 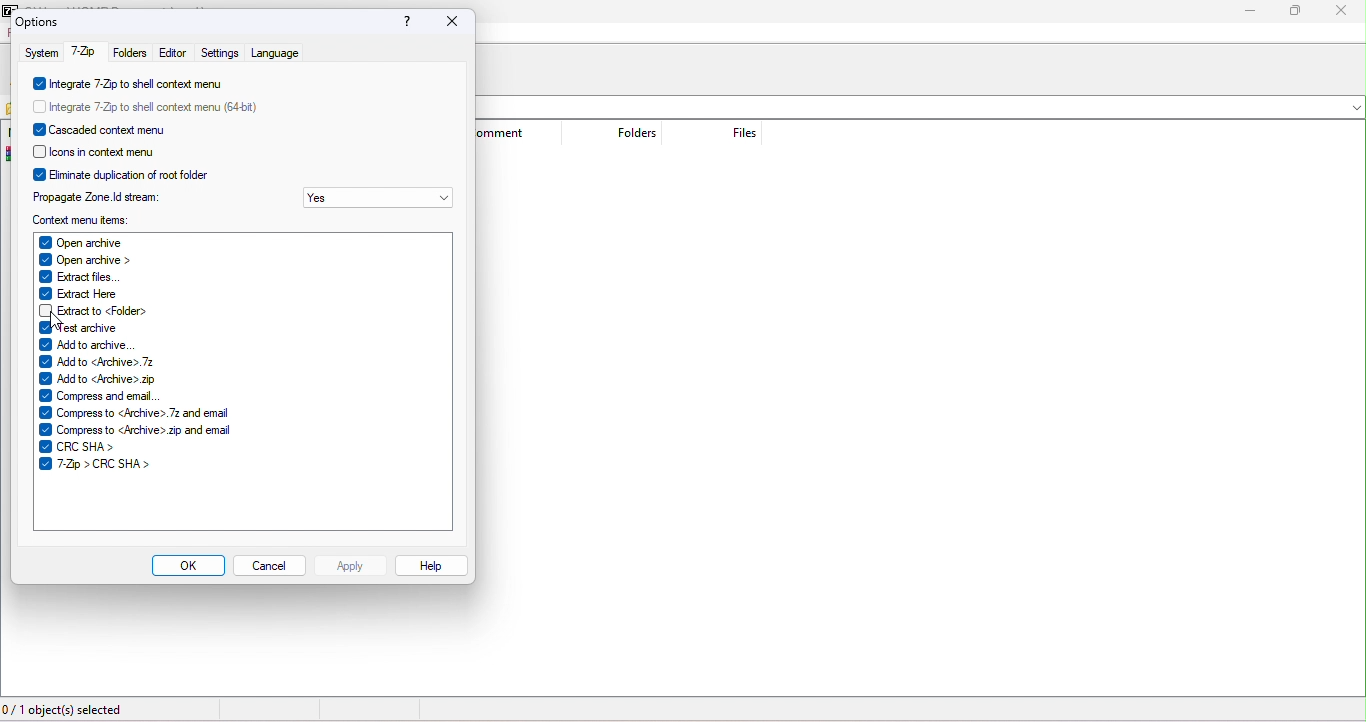 I want to click on drop down, so click(x=1351, y=107).